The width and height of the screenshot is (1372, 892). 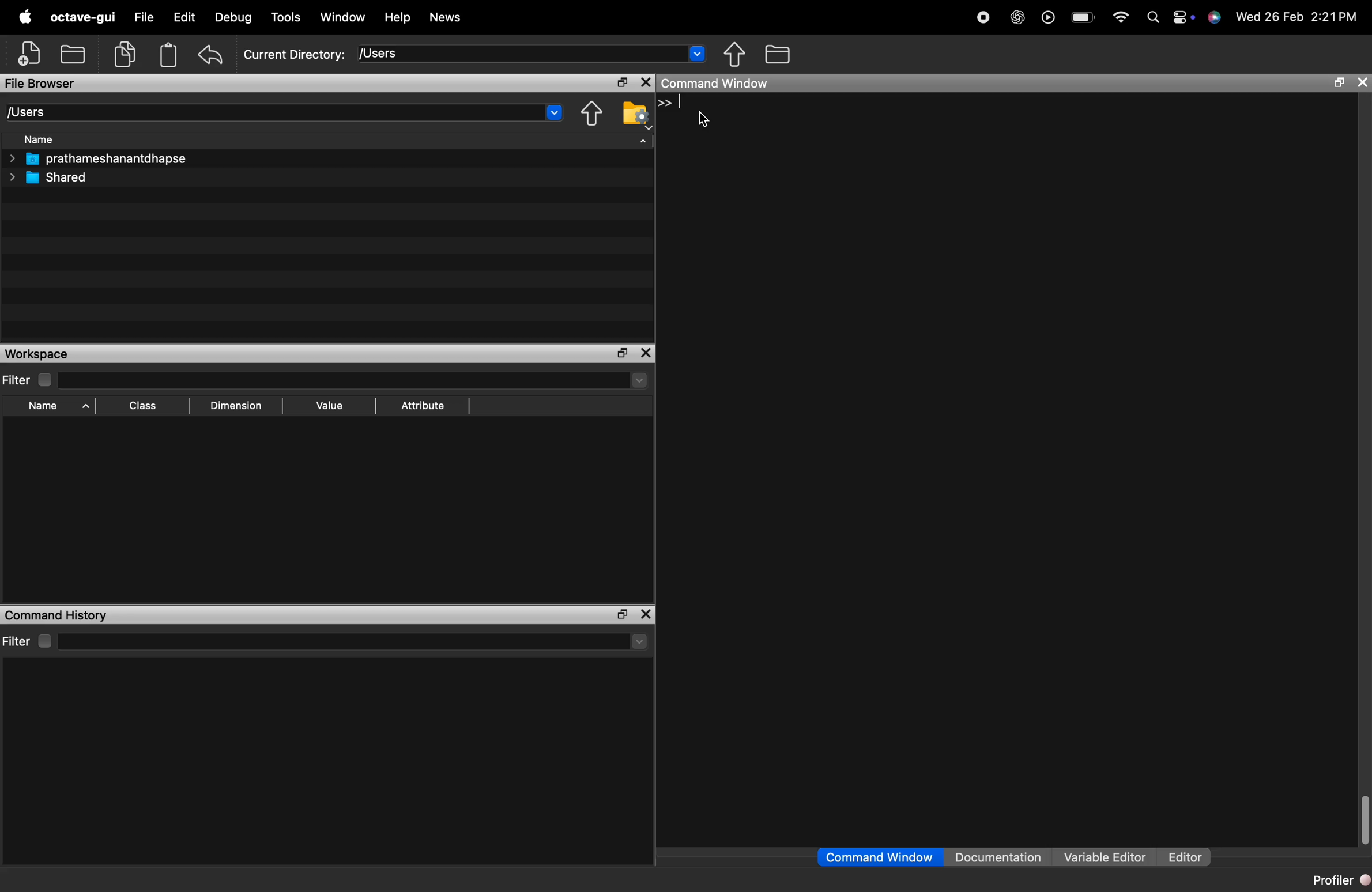 What do you see at coordinates (635, 114) in the screenshot?
I see `browse your files` at bounding box center [635, 114].